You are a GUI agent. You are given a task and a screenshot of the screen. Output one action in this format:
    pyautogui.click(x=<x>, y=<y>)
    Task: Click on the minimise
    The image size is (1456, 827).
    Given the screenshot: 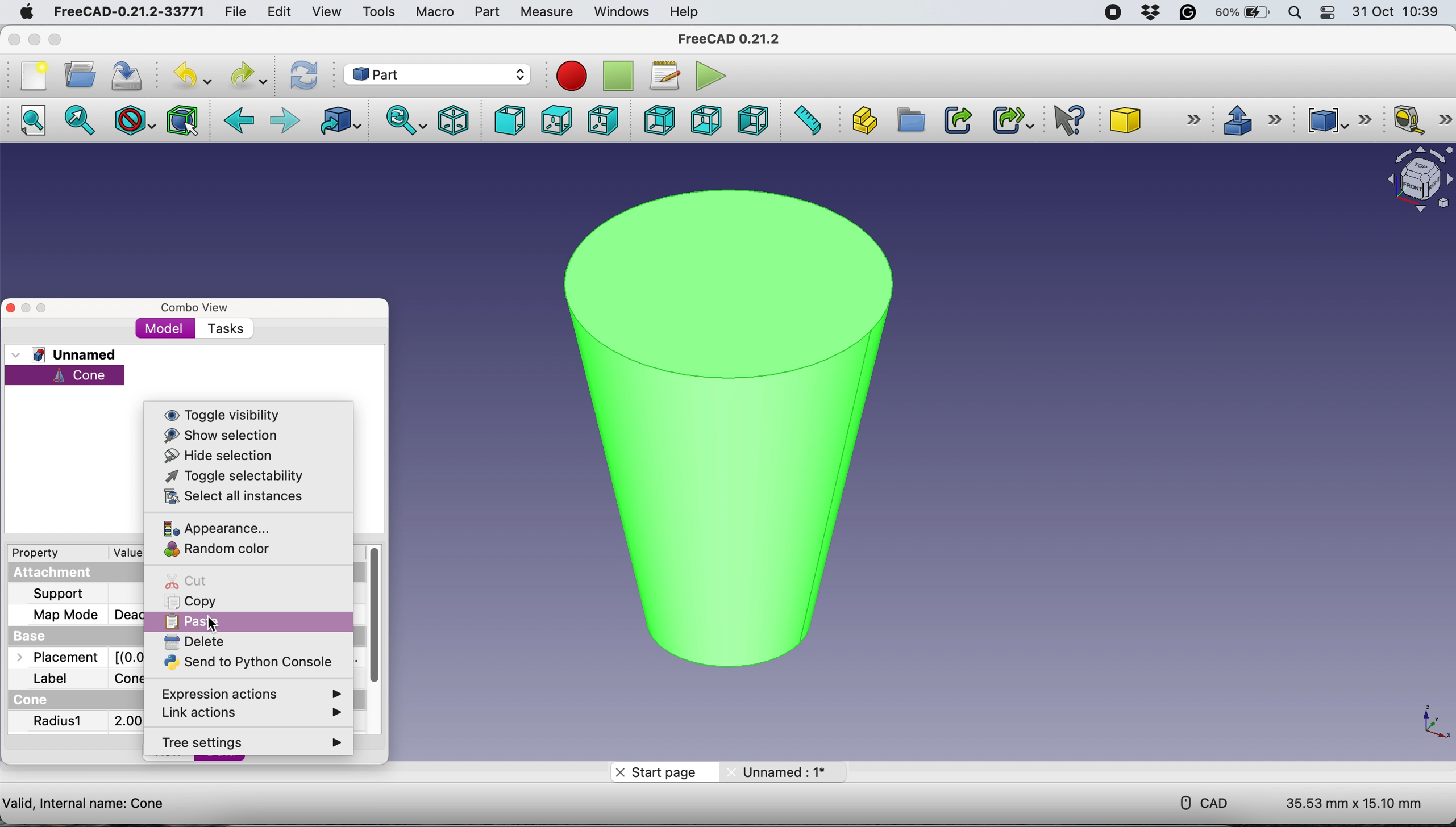 What is the action you would take?
    pyautogui.click(x=26, y=306)
    